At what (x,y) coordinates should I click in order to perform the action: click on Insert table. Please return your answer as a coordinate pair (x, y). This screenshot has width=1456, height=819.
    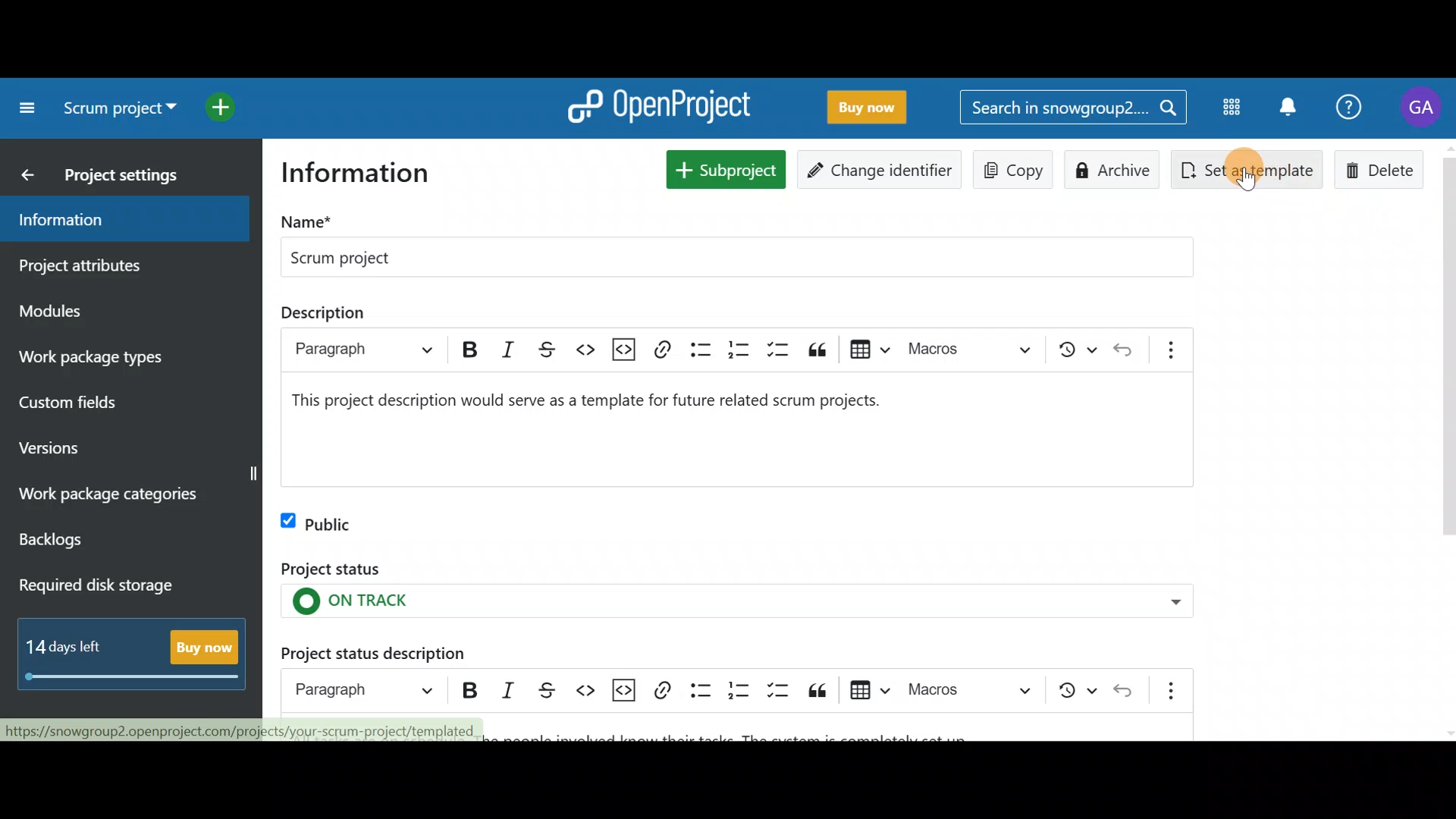
    Looking at the image, I should click on (868, 692).